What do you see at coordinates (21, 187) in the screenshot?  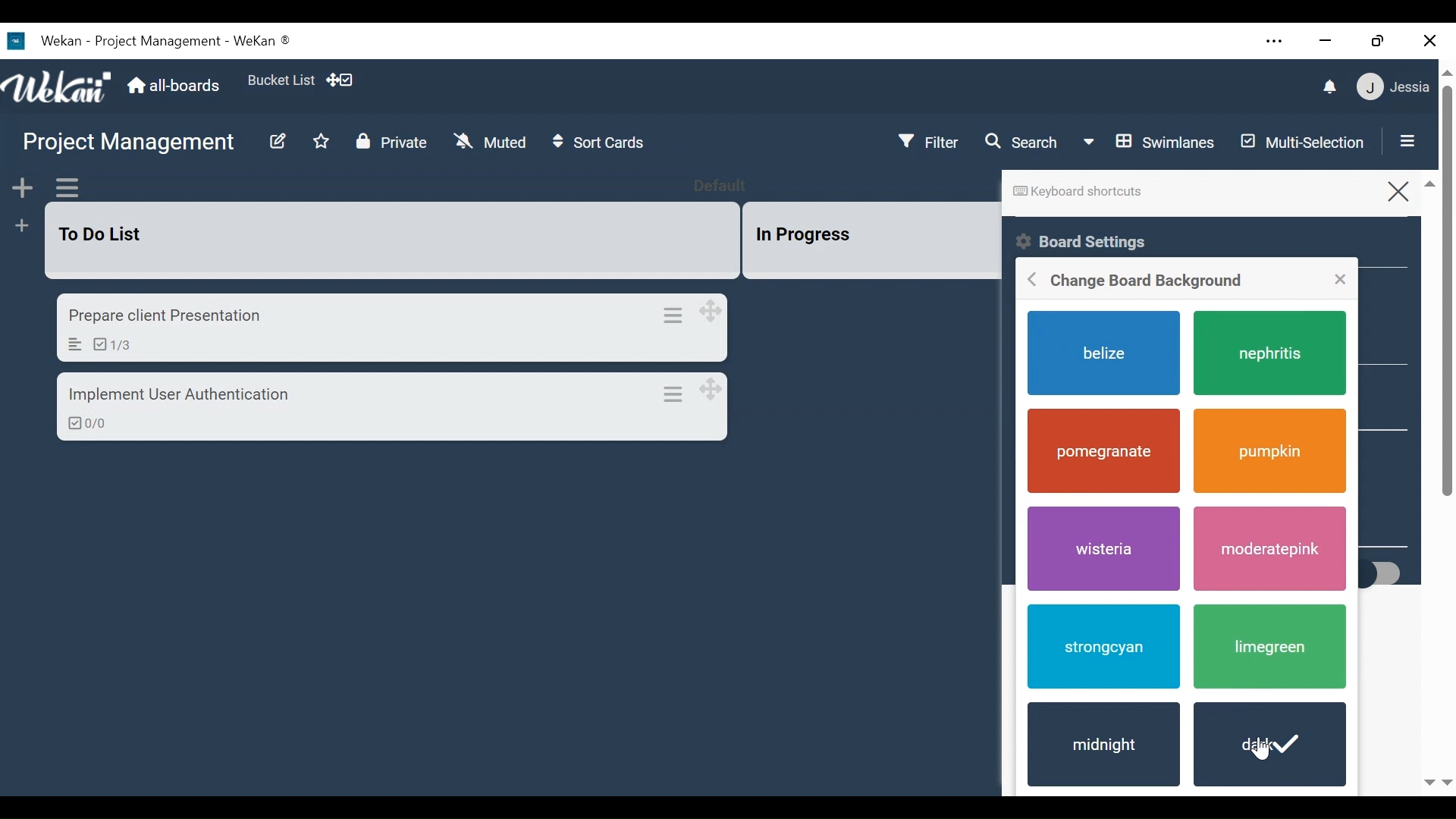 I see `Add Swimlane` at bounding box center [21, 187].